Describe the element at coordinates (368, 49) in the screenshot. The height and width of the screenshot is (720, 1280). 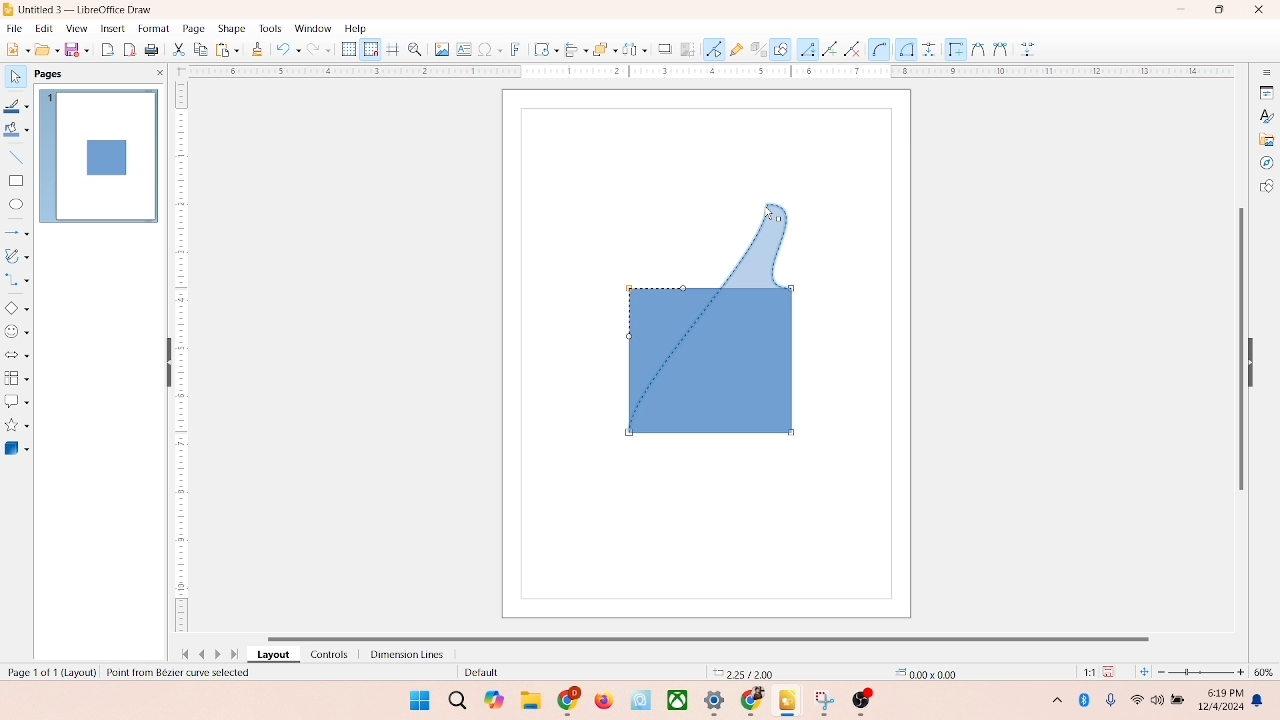
I see `snap to grid` at that location.